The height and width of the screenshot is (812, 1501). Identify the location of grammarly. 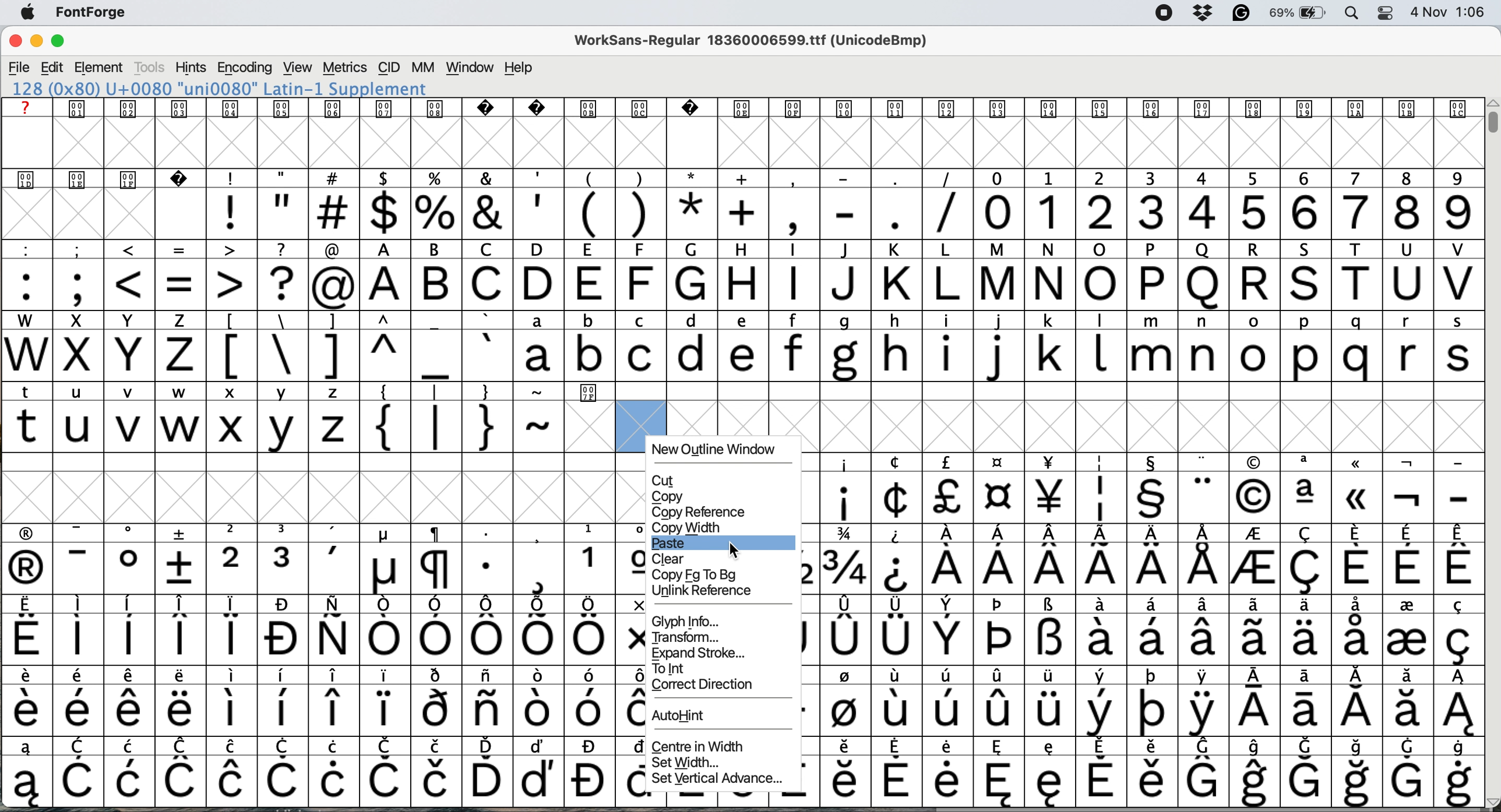
(1239, 13).